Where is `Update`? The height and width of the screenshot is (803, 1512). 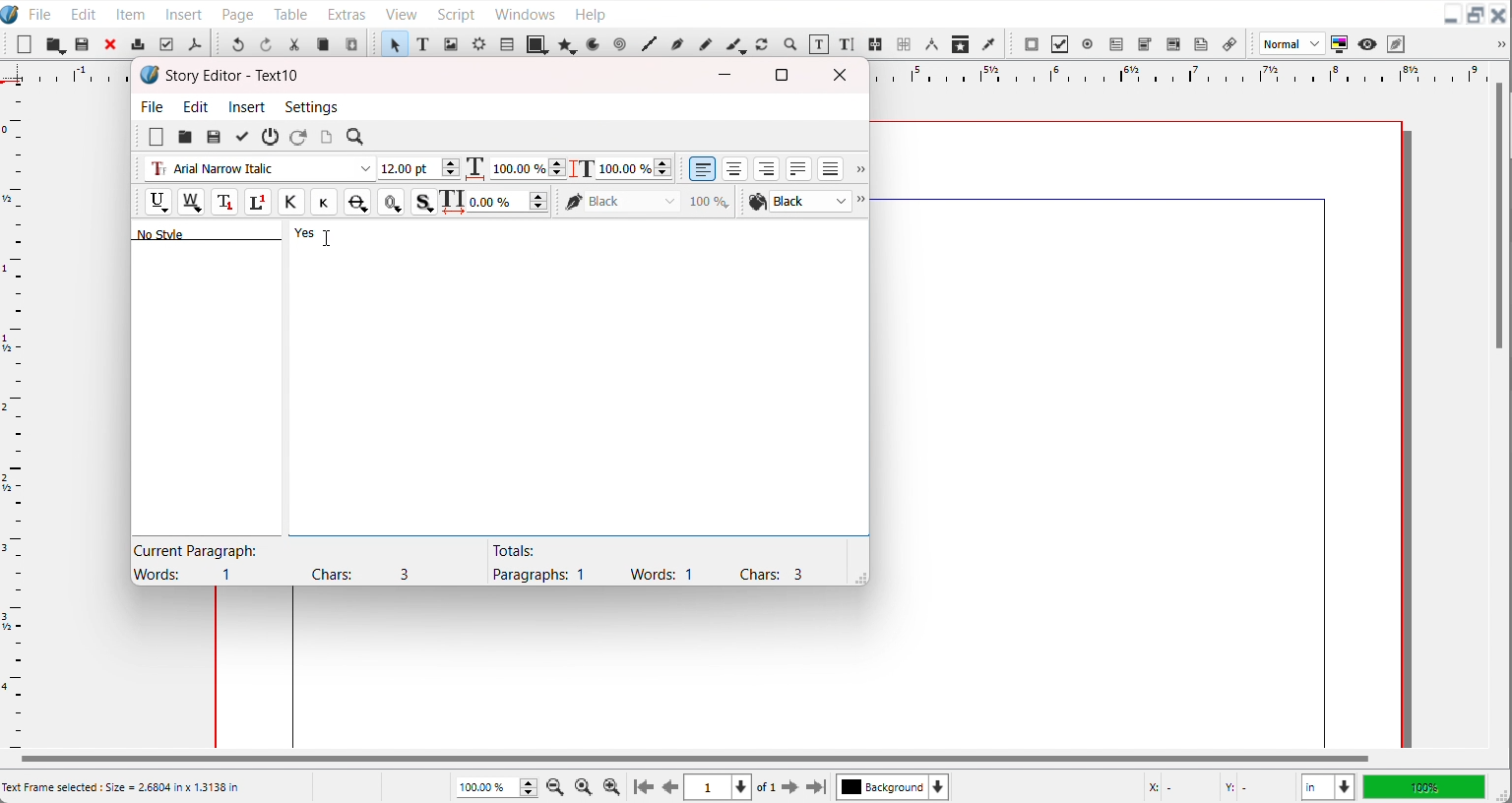
Update is located at coordinates (241, 137).